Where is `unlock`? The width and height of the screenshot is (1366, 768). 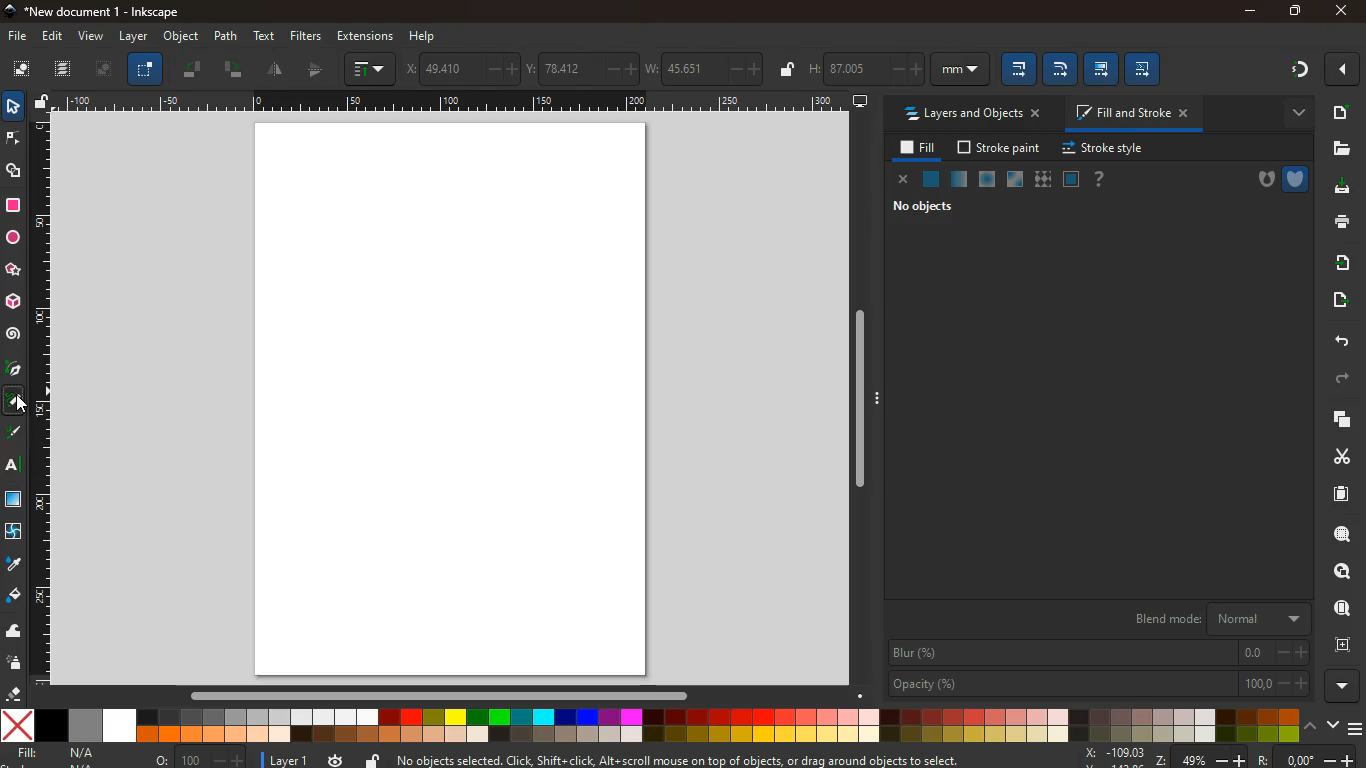 unlock is located at coordinates (43, 103).